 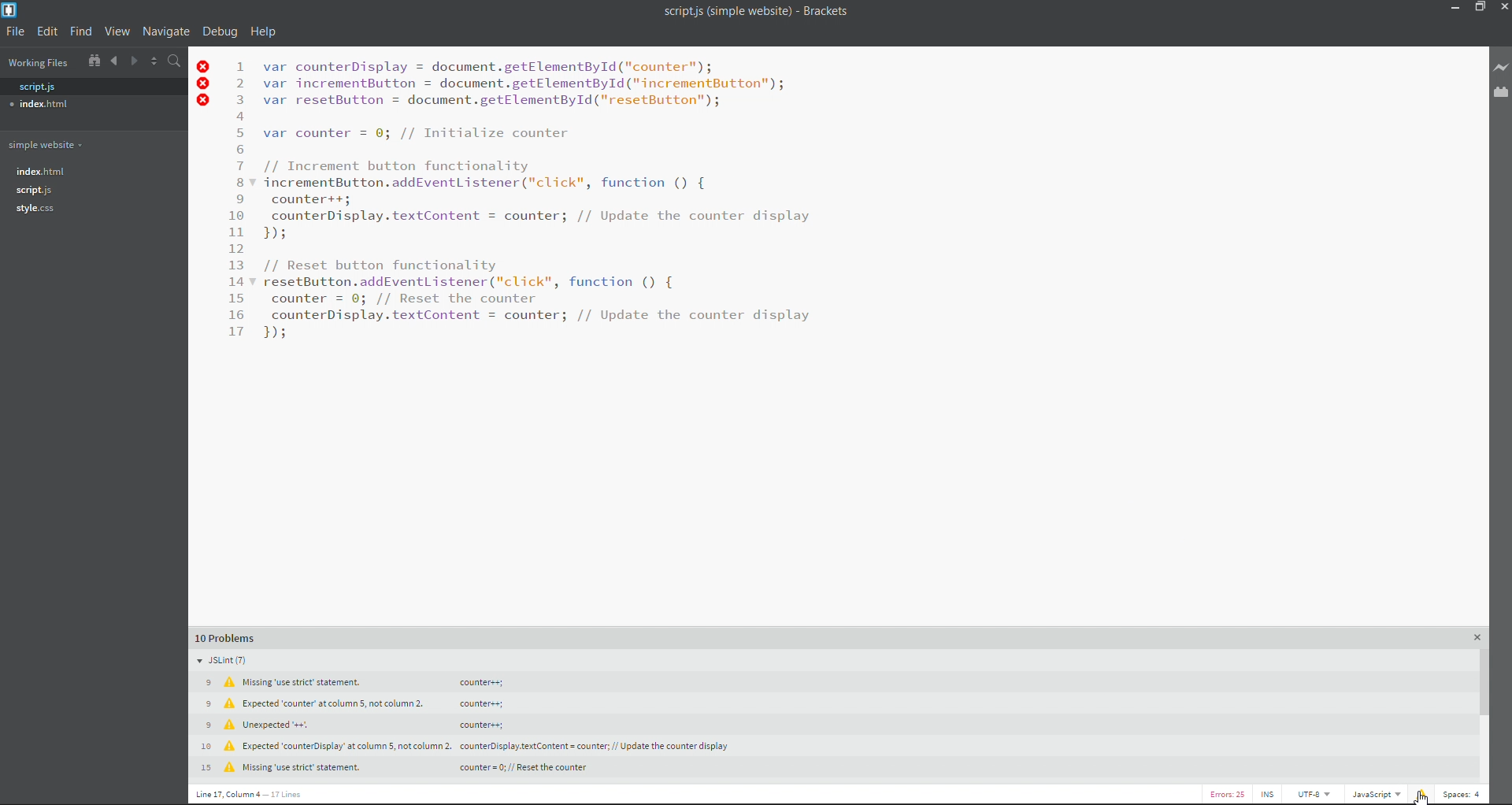 I want to click on maximize, so click(x=1477, y=9).